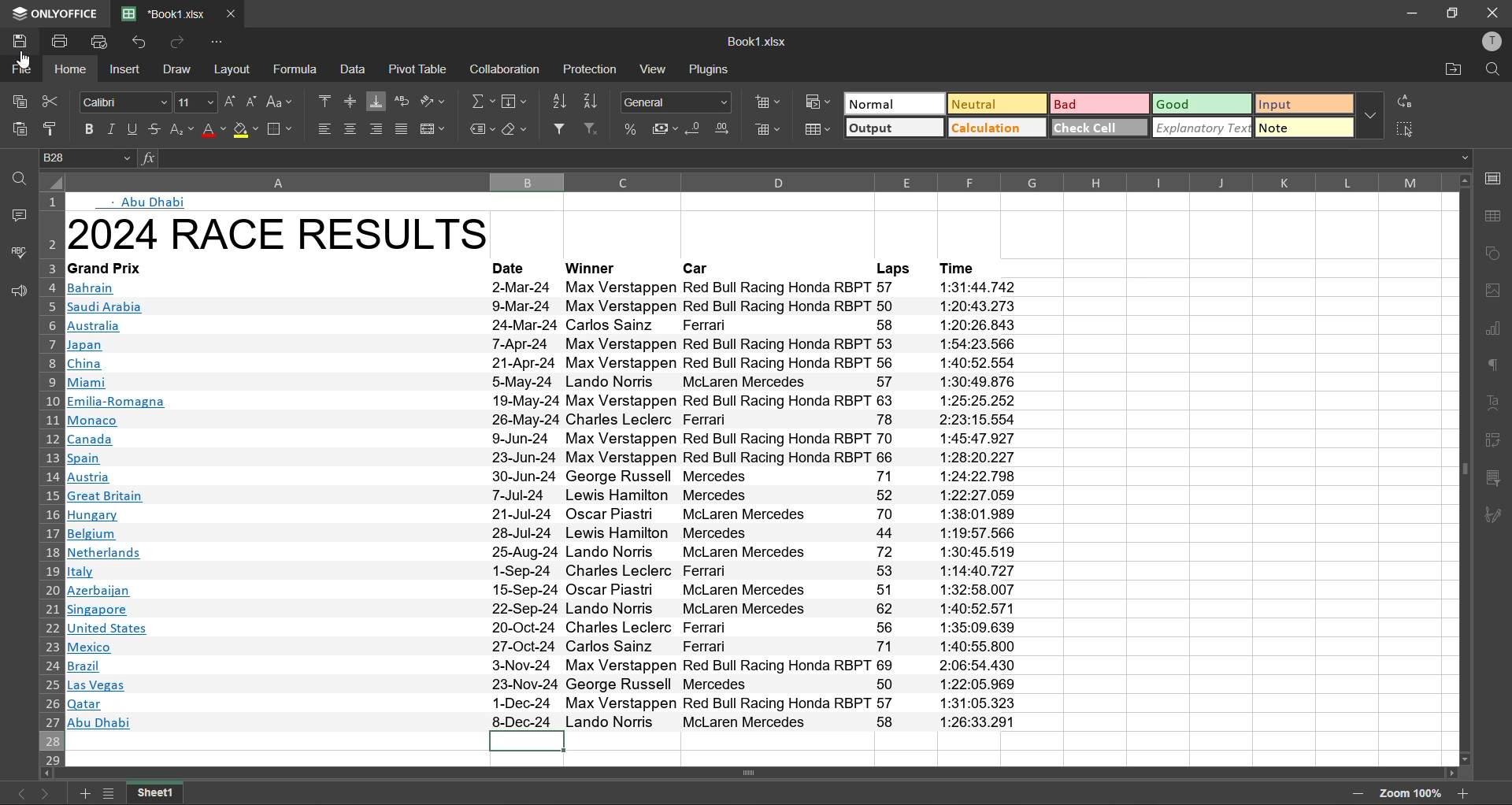  I want to click on Winner, so click(592, 268).